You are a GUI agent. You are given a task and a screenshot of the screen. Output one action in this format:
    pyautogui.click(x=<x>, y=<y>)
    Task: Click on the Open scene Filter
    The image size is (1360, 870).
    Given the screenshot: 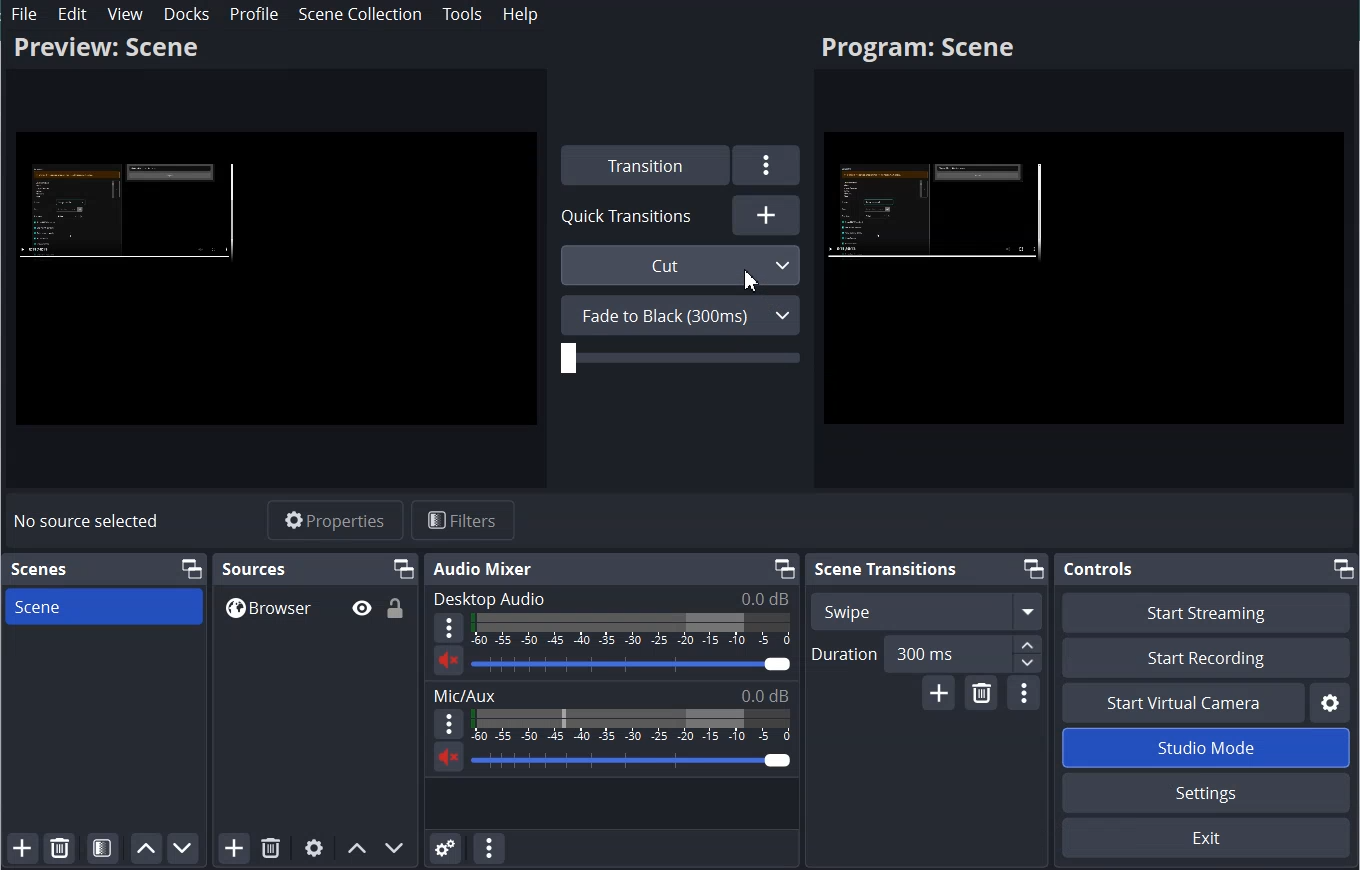 What is the action you would take?
    pyautogui.click(x=102, y=849)
    